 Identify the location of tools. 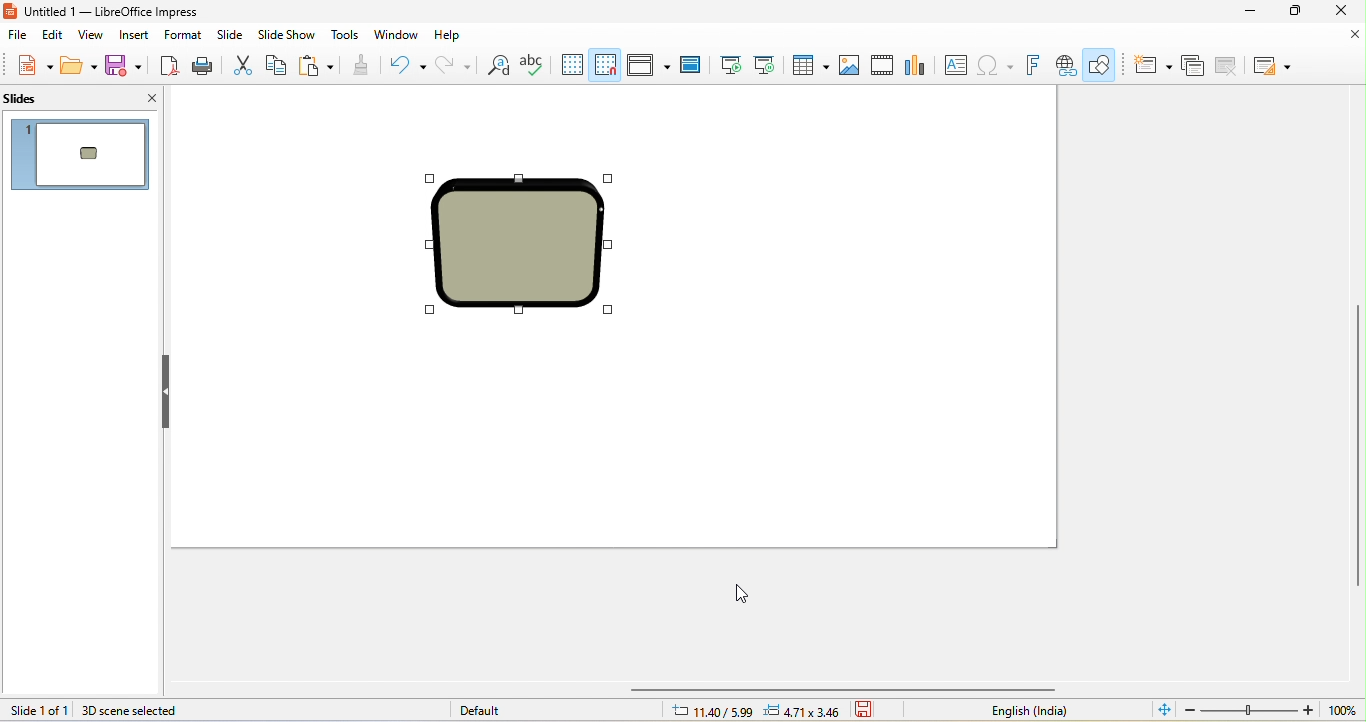
(345, 36).